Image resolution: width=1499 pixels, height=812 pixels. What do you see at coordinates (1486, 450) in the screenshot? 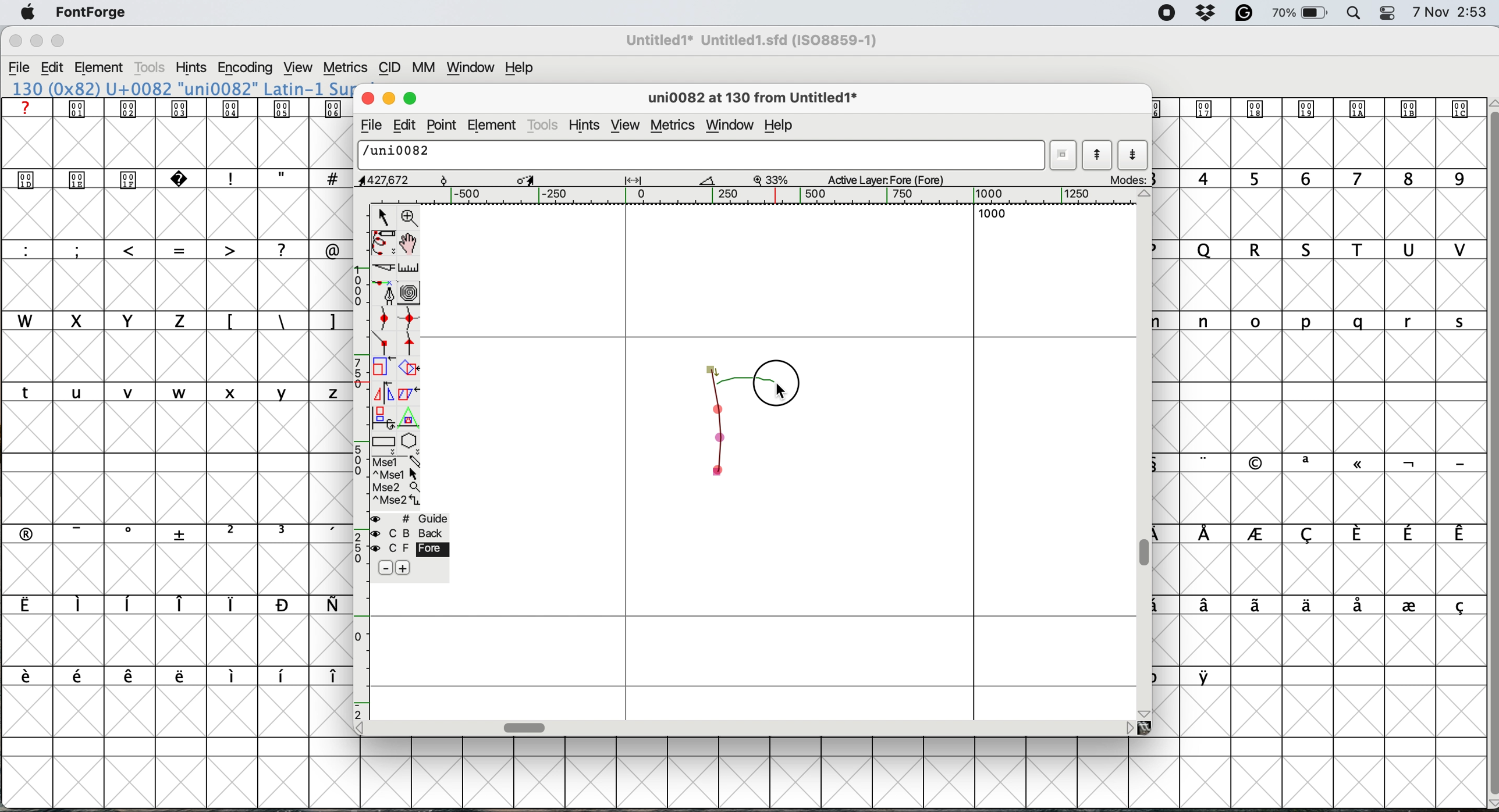
I see `vertical scroll bar` at bounding box center [1486, 450].